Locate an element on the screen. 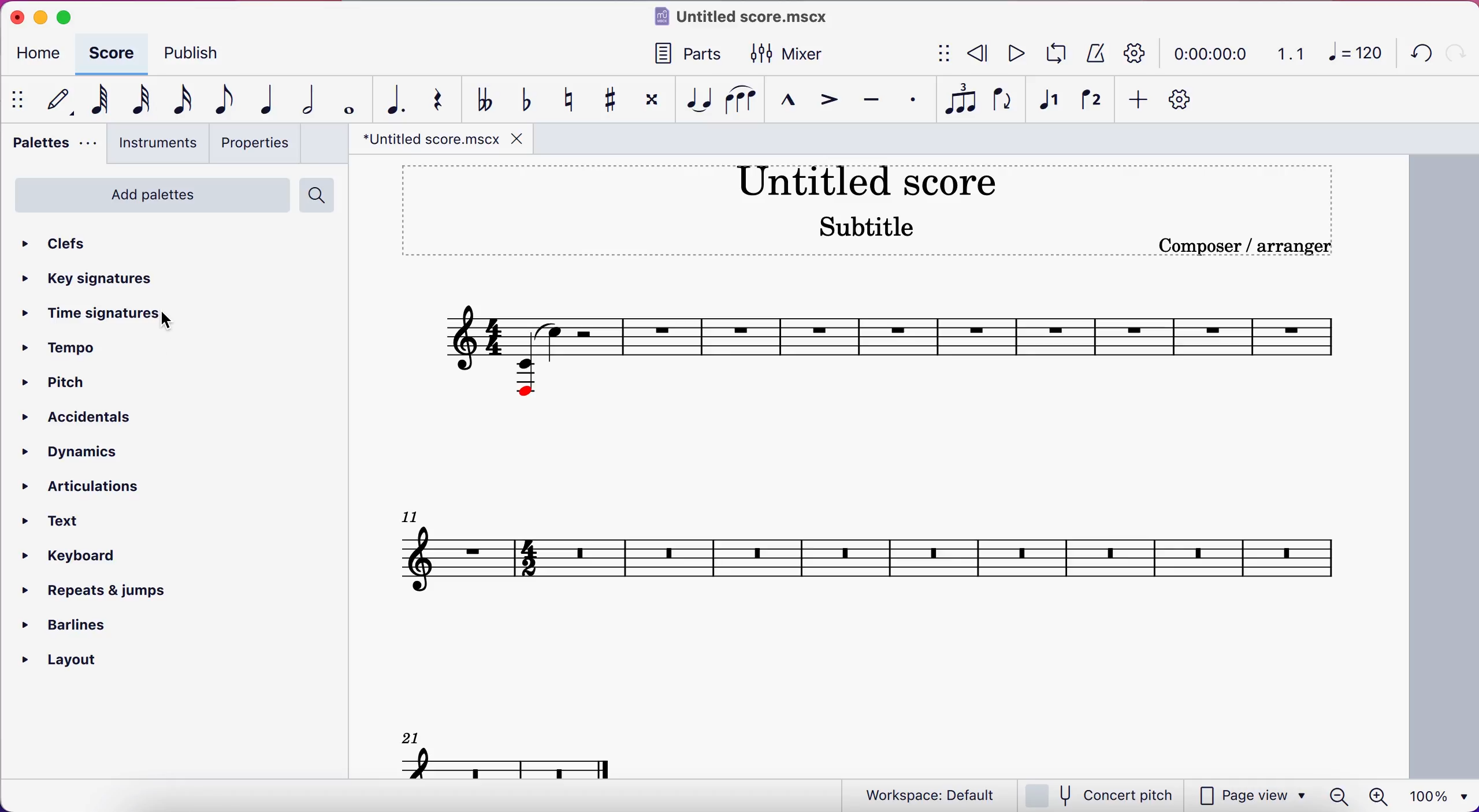 The width and height of the screenshot is (1479, 812). 100% is located at coordinates (1440, 797).